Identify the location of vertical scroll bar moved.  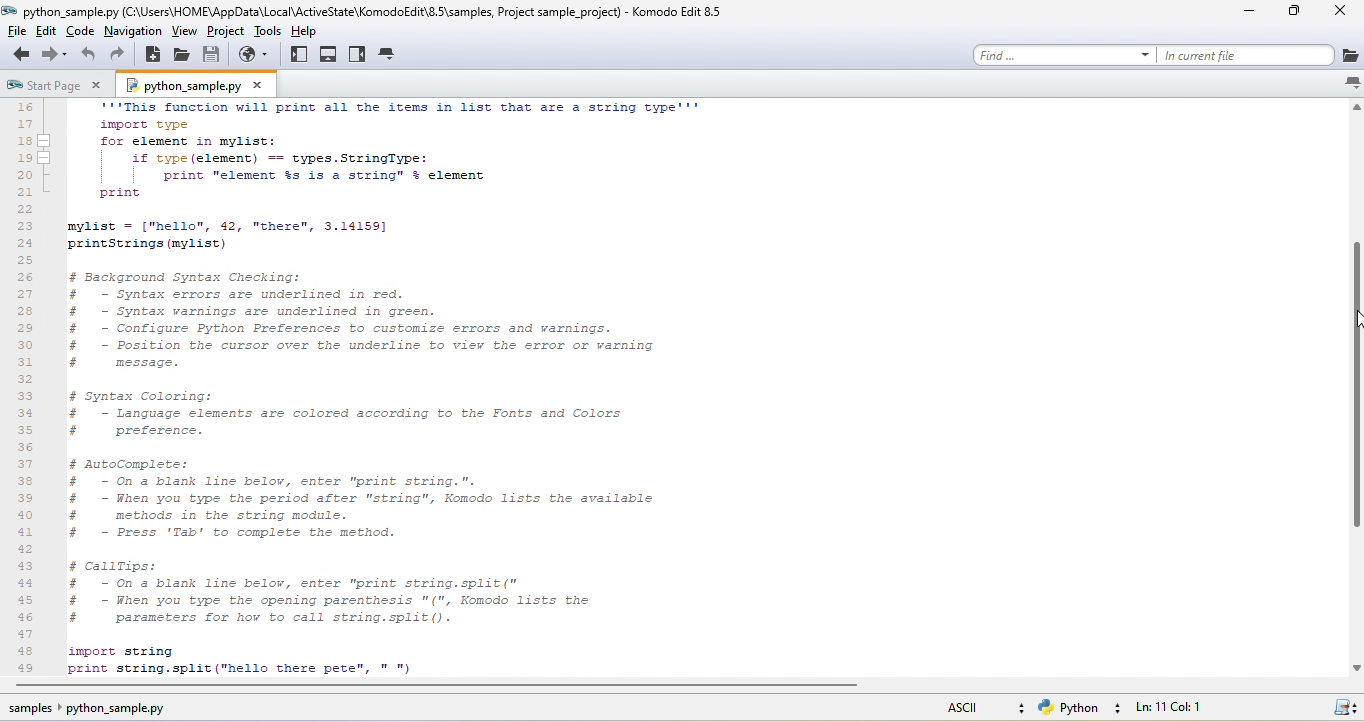
(1355, 391).